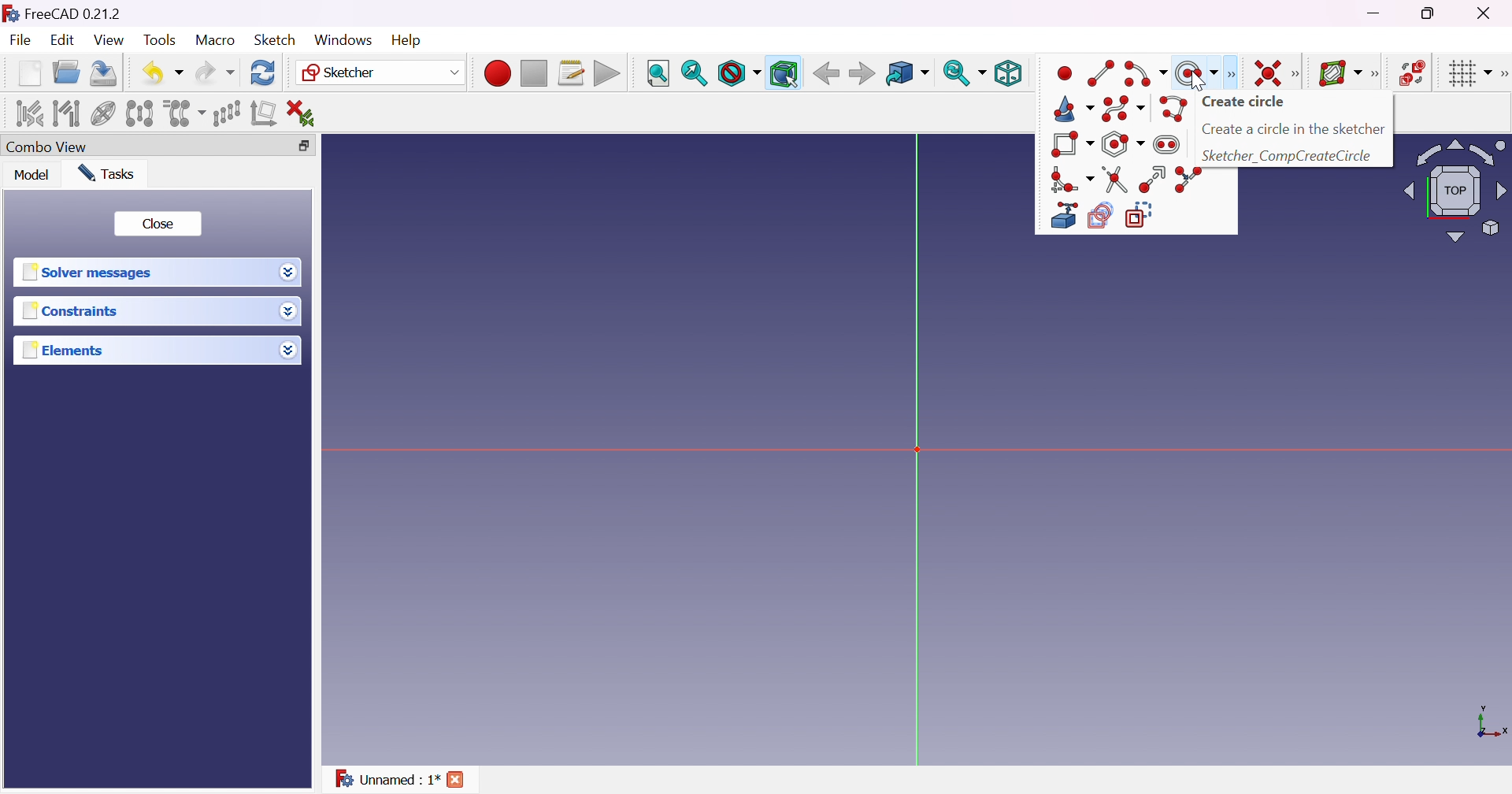 The image size is (1512, 794). What do you see at coordinates (1072, 180) in the screenshot?
I see `Create fillet` at bounding box center [1072, 180].